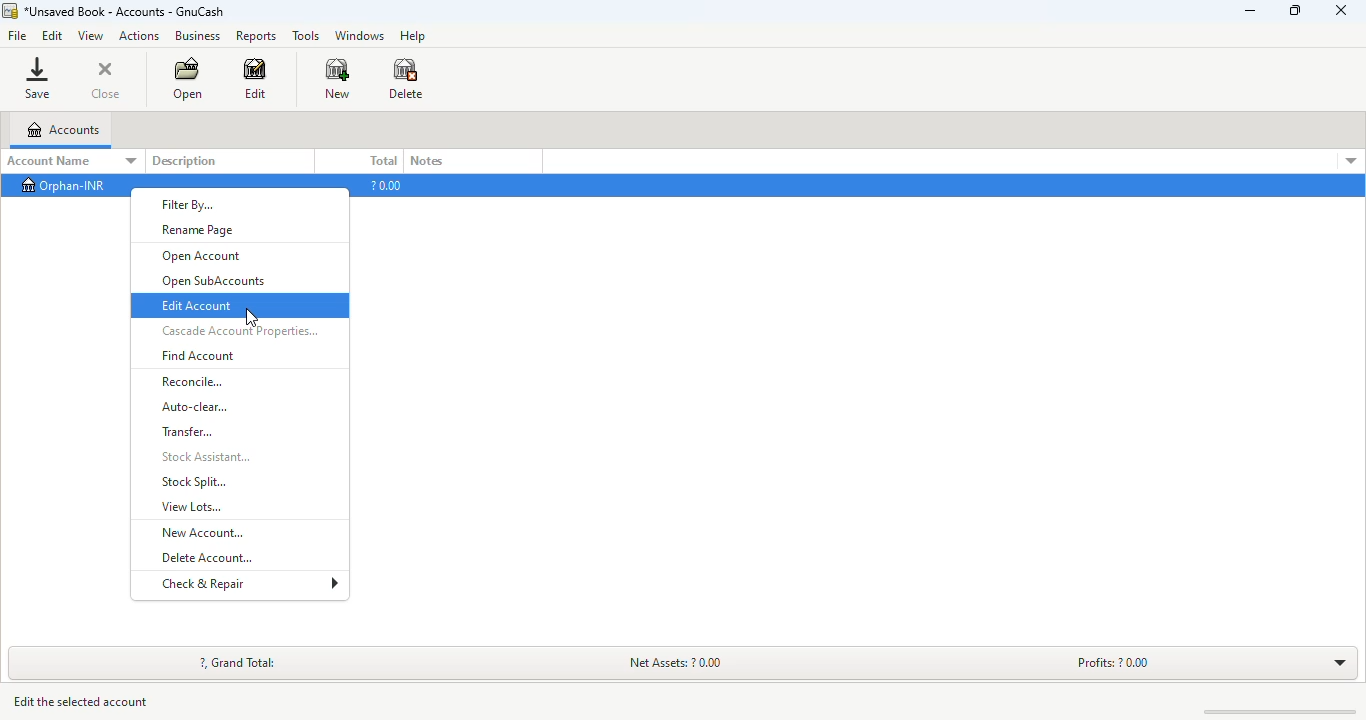  I want to click on save, so click(38, 78).